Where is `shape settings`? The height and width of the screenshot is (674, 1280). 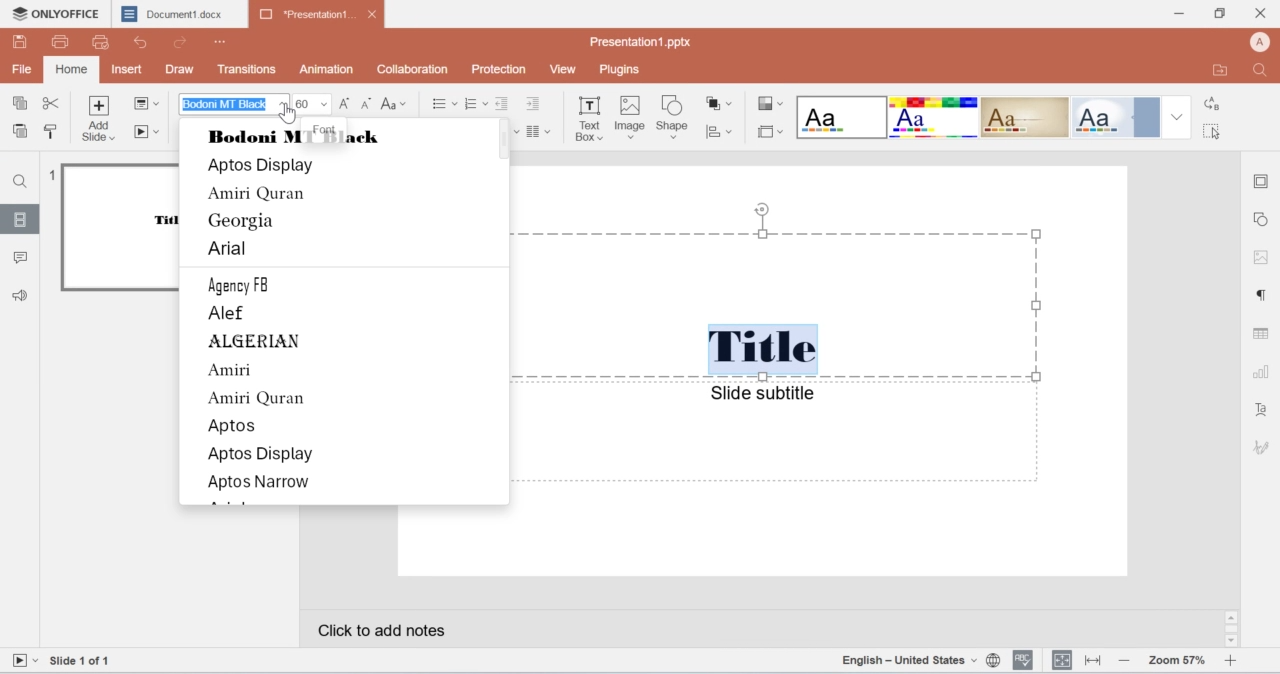 shape settings is located at coordinates (1264, 219).